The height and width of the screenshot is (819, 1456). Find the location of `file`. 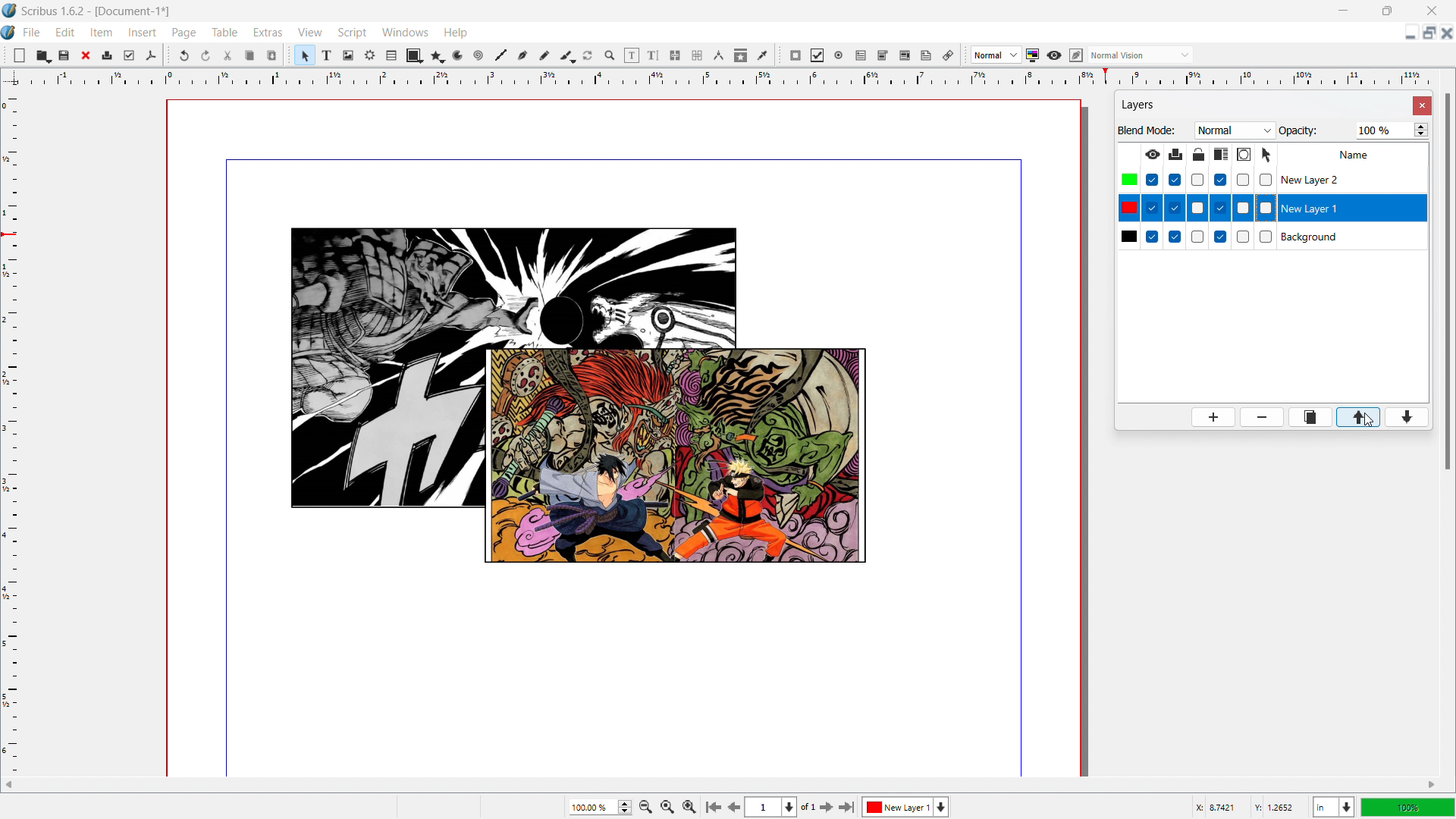

file is located at coordinates (33, 32).